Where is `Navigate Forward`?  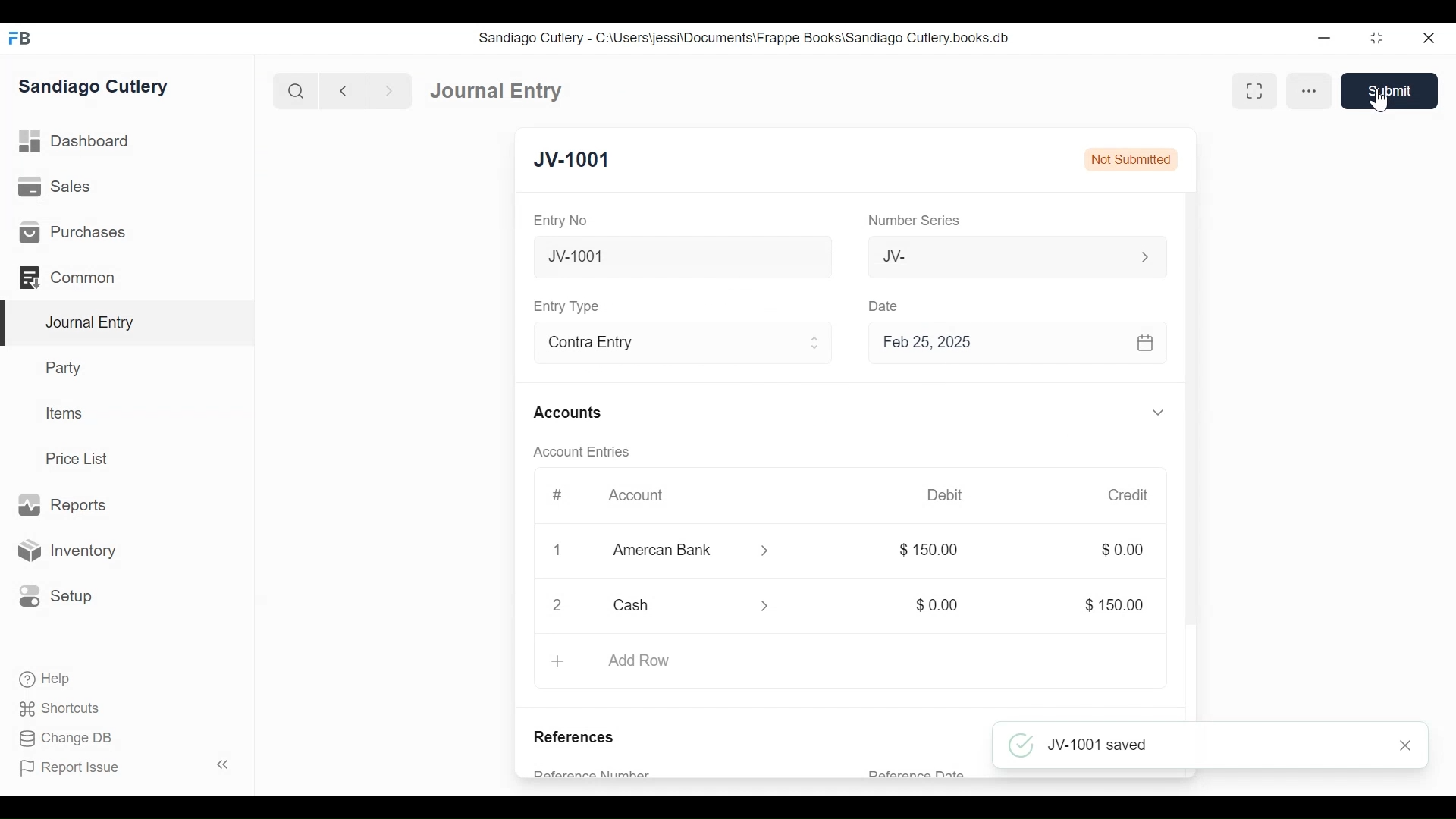
Navigate Forward is located at coordinates (390, 92).